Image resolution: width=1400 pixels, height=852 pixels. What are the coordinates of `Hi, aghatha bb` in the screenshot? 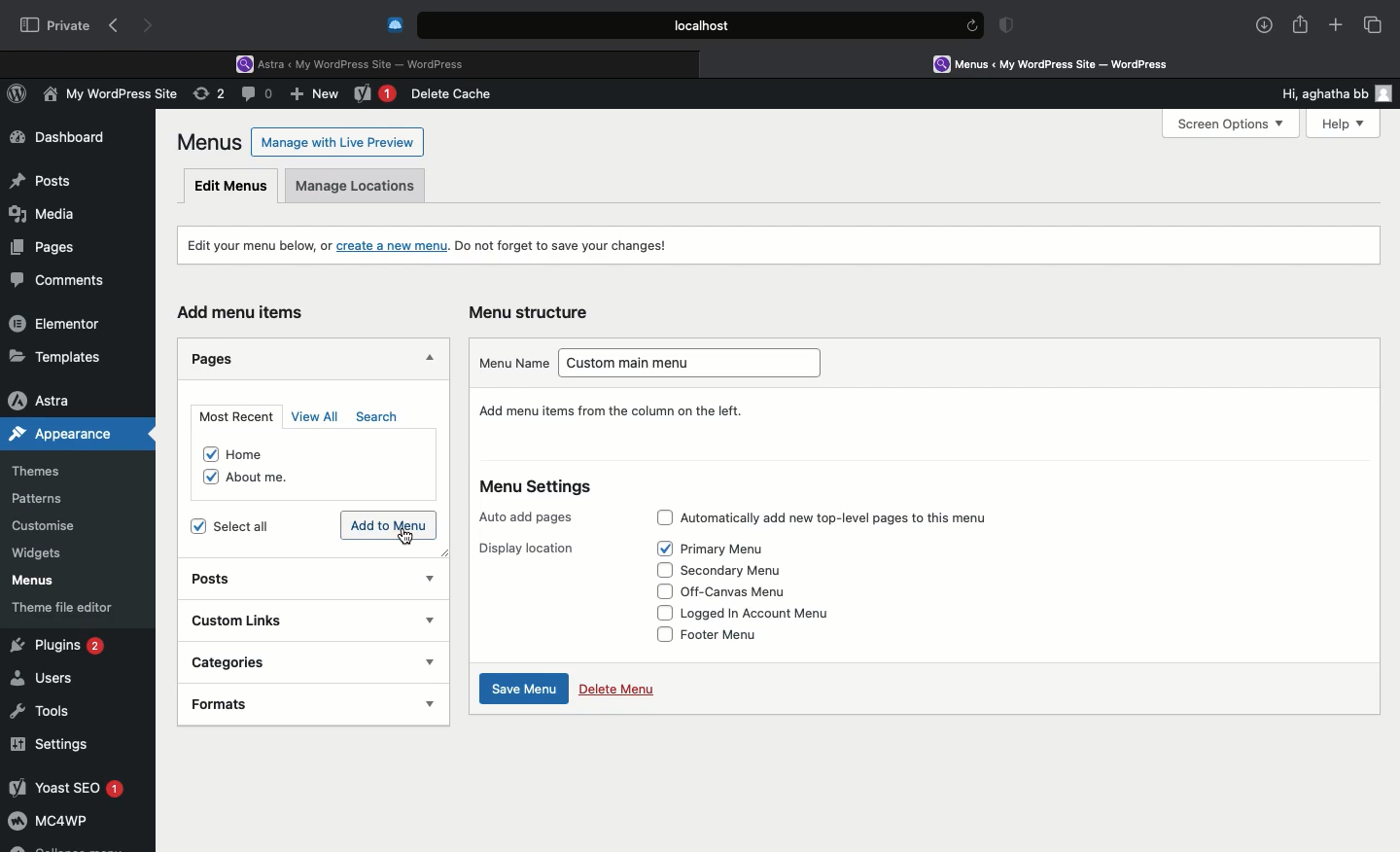 It's located at (1314, 90).